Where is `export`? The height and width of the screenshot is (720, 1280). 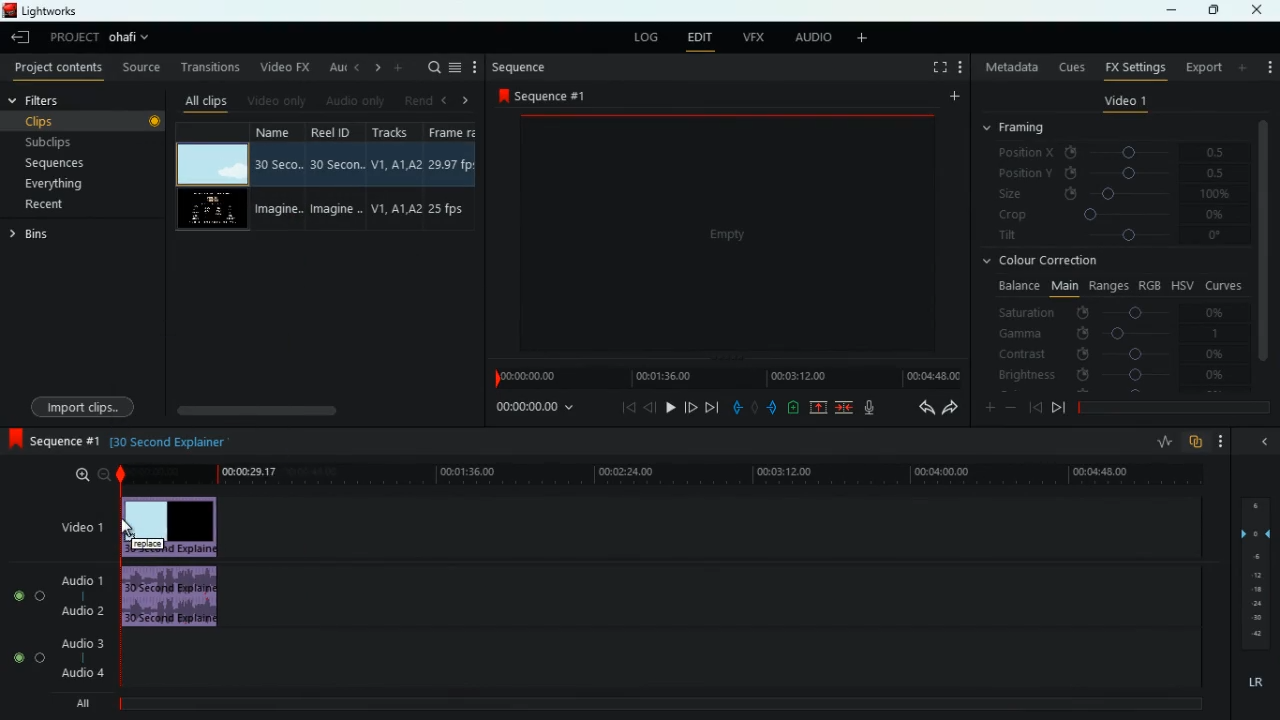
export is located at coordinates (1202, 67).